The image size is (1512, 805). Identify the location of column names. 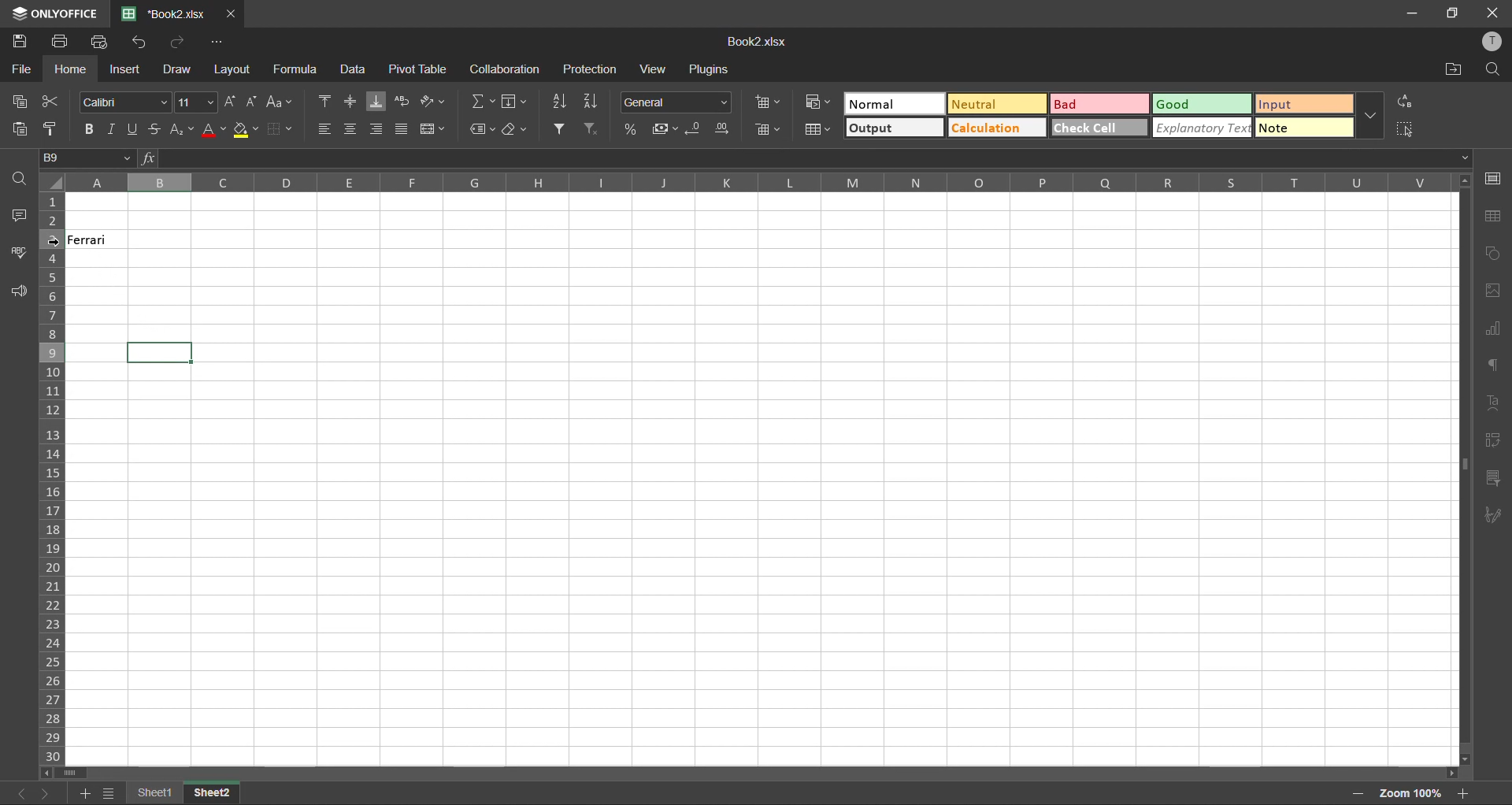
(761, 182).